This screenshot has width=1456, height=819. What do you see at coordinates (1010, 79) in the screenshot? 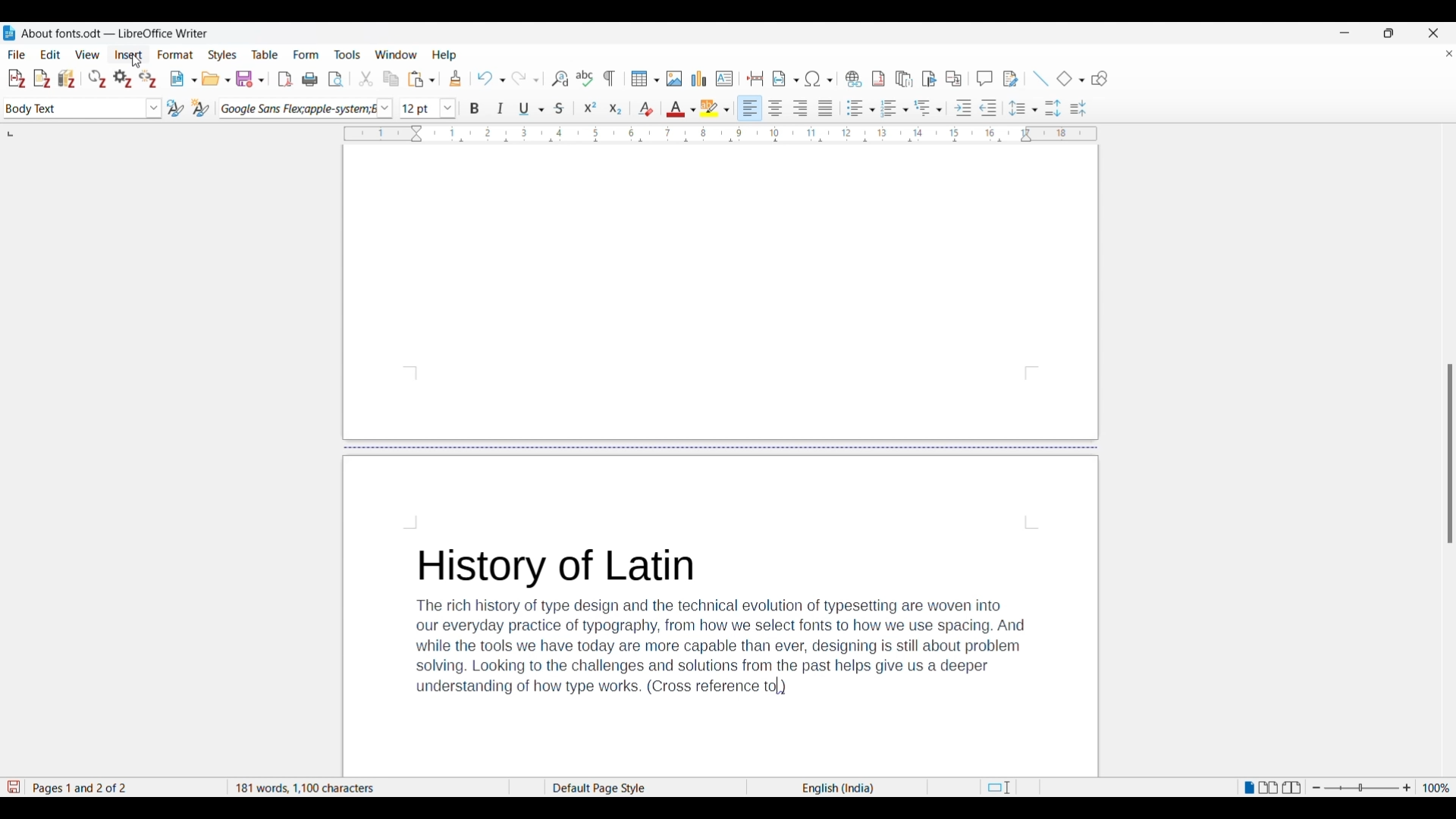
I see `Show track changes functions` at bounding box center [1010, 79].